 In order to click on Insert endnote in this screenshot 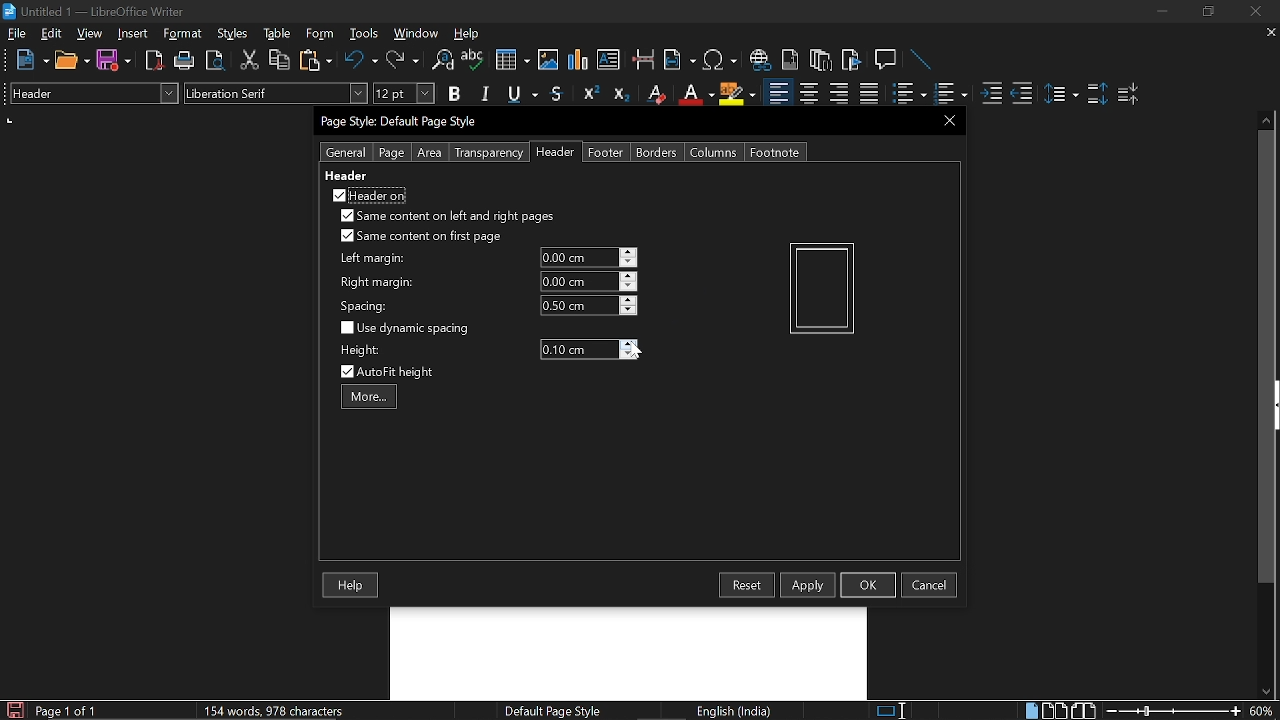, I will do `click(790, 60)`.